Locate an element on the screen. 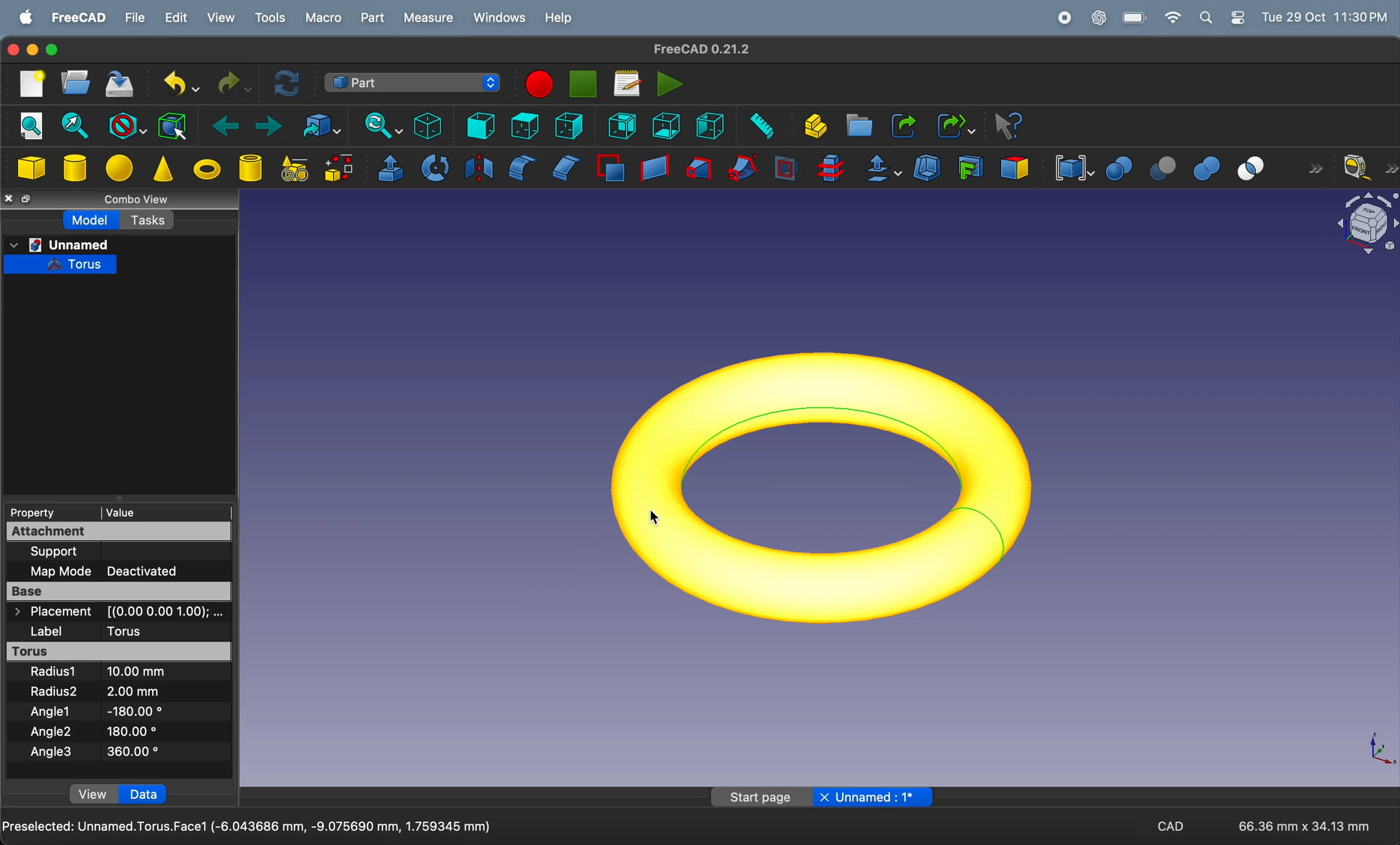 This screenshot has width=1400, height=845. cube is located at coordinates (34, 168).